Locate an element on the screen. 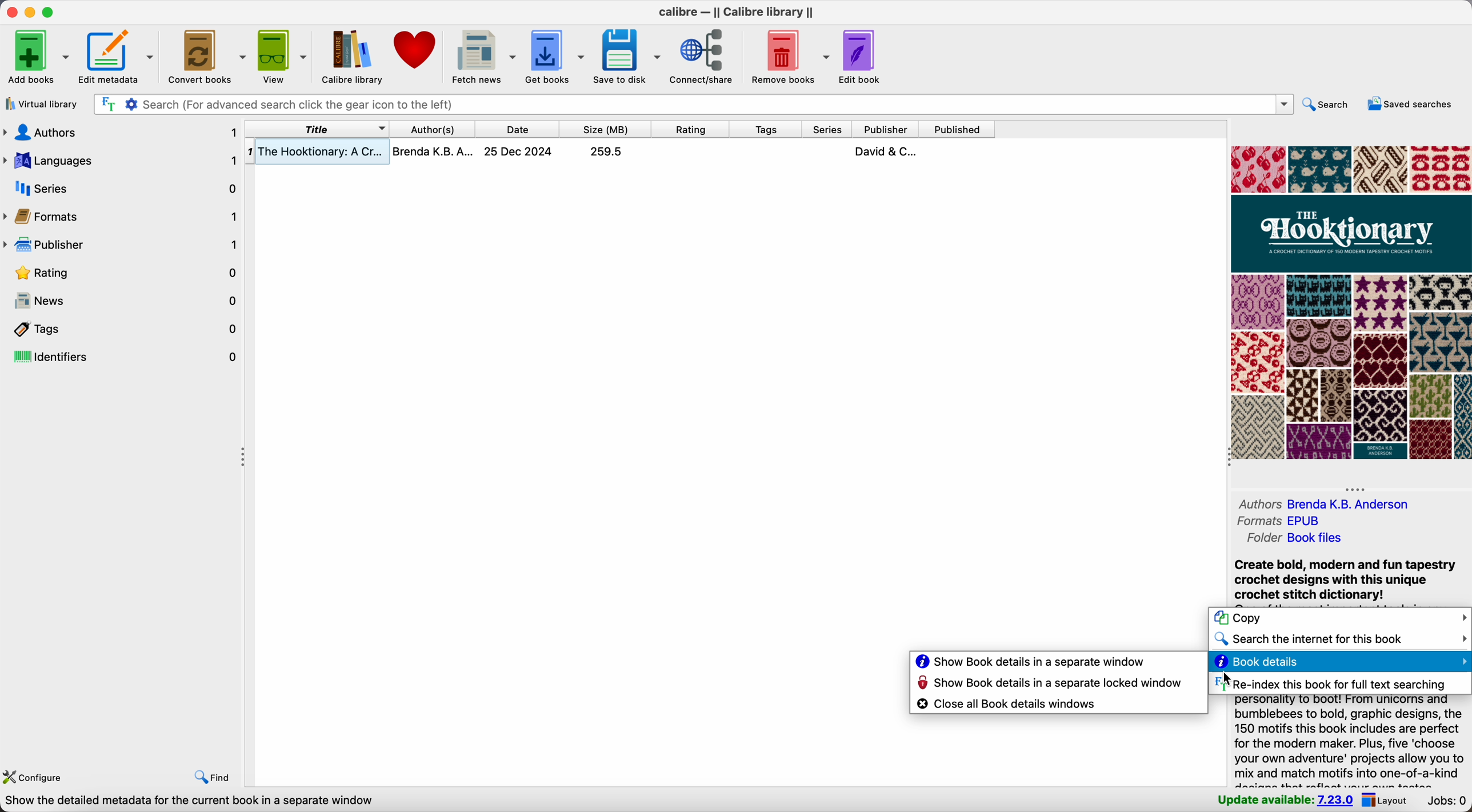 The width and height of the screenshot is (1472, 812). data is located at coordinates (189, 802).